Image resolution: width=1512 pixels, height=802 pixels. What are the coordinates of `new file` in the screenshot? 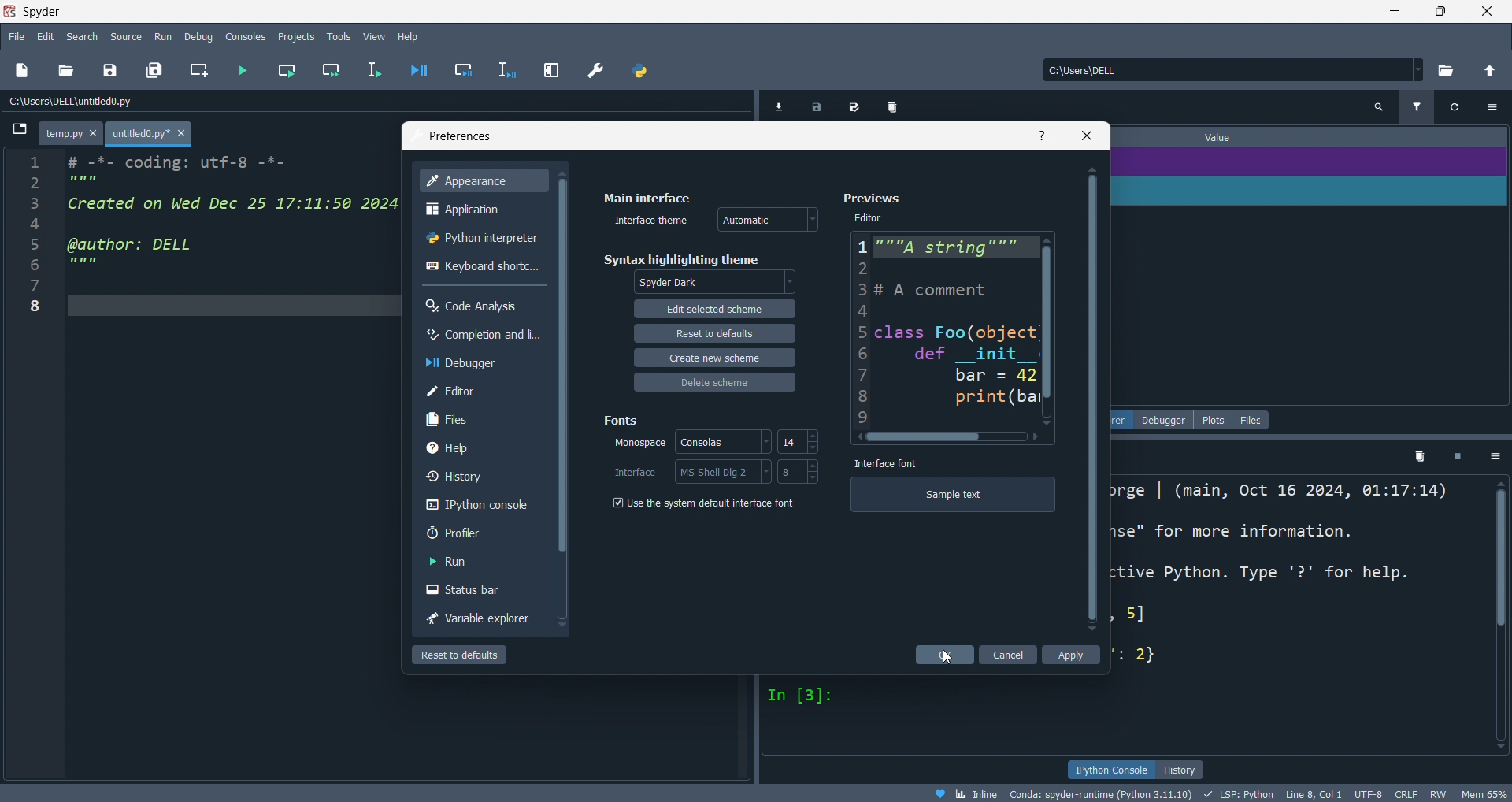 It's located at (25, 71).